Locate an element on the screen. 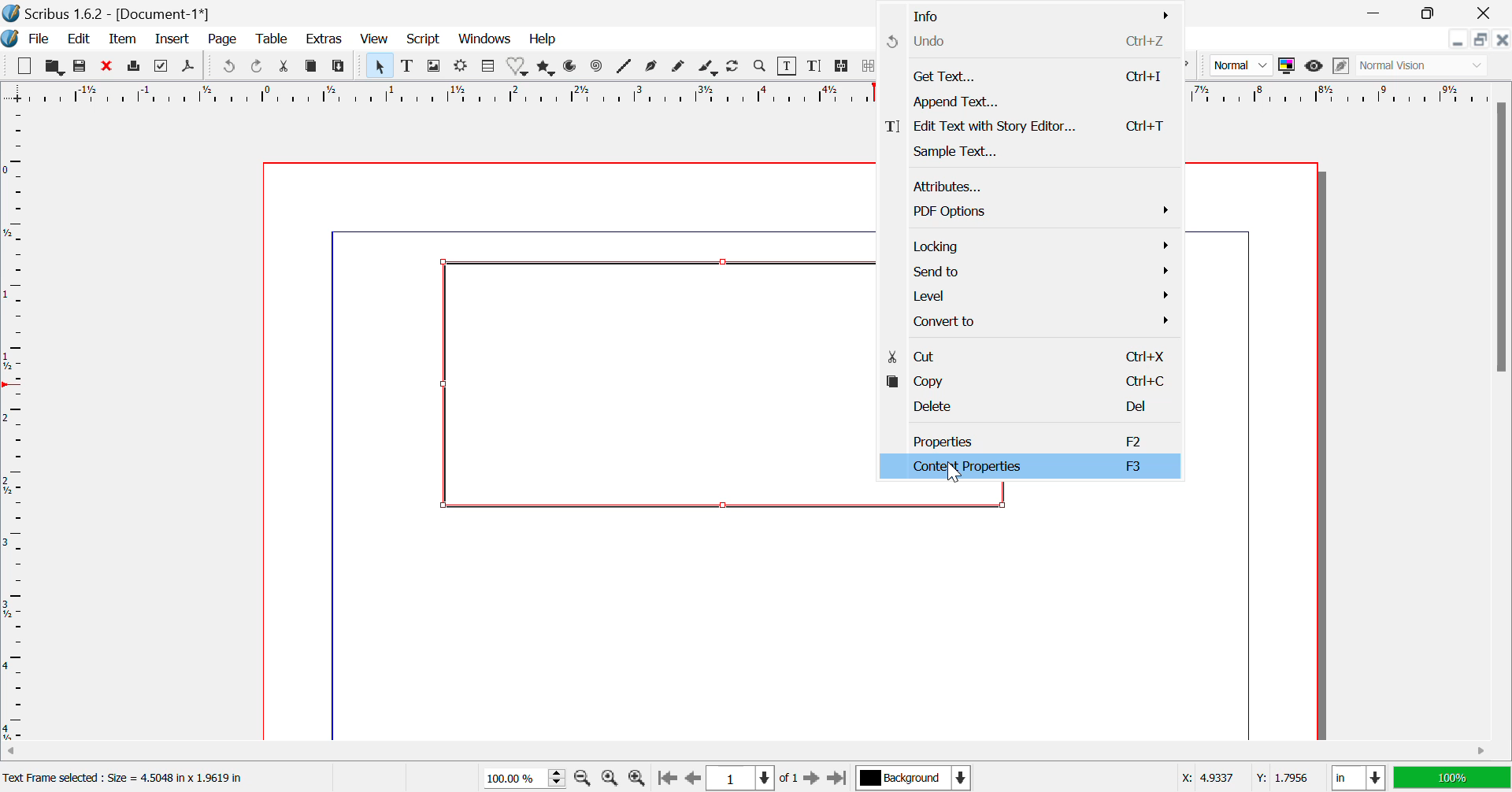  Link Text Frames is located at coordinates (839, 68).